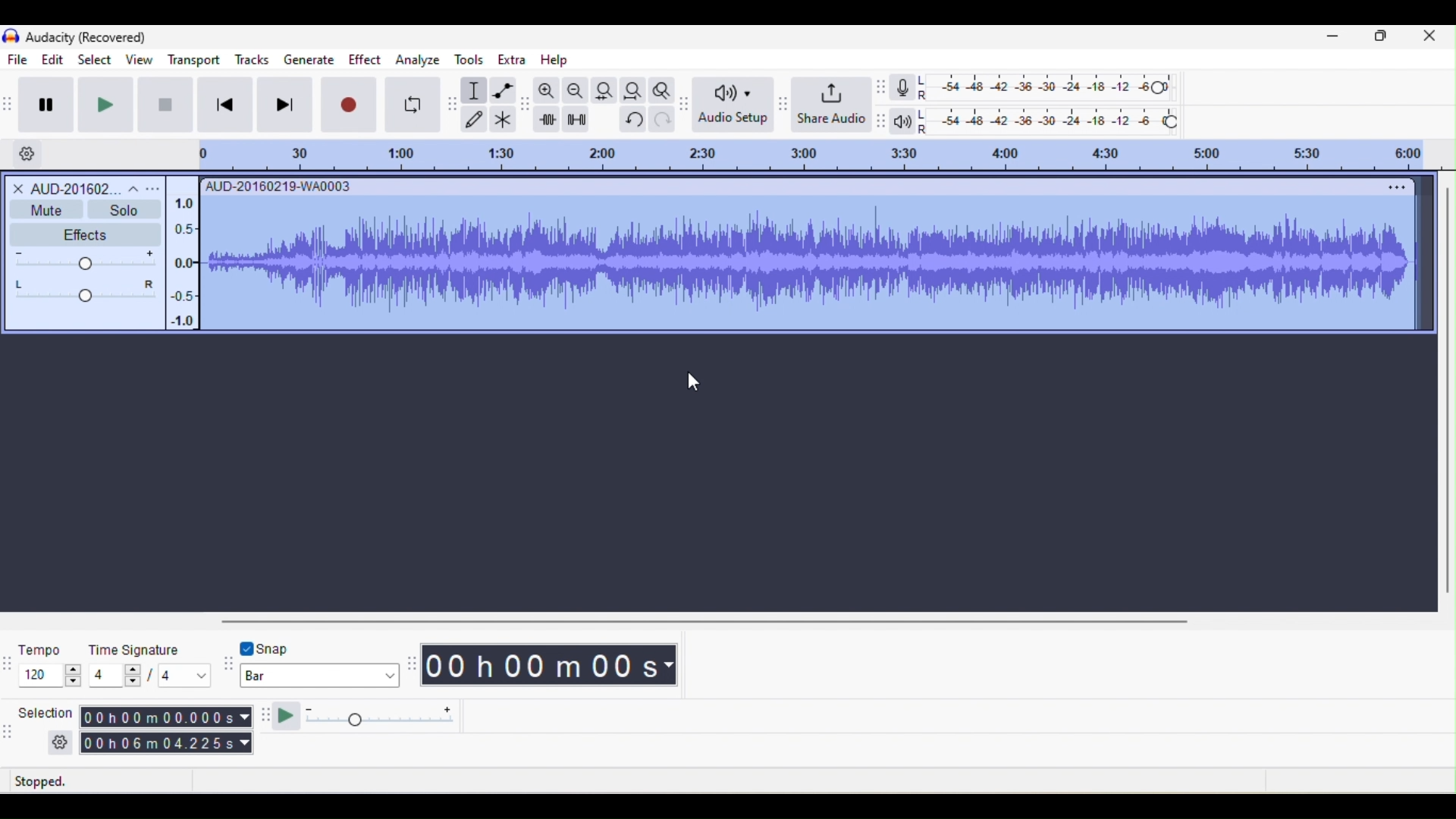 The width and height of the screenshot is (1456, 819). I want to click on tempo, so click(49, 663).